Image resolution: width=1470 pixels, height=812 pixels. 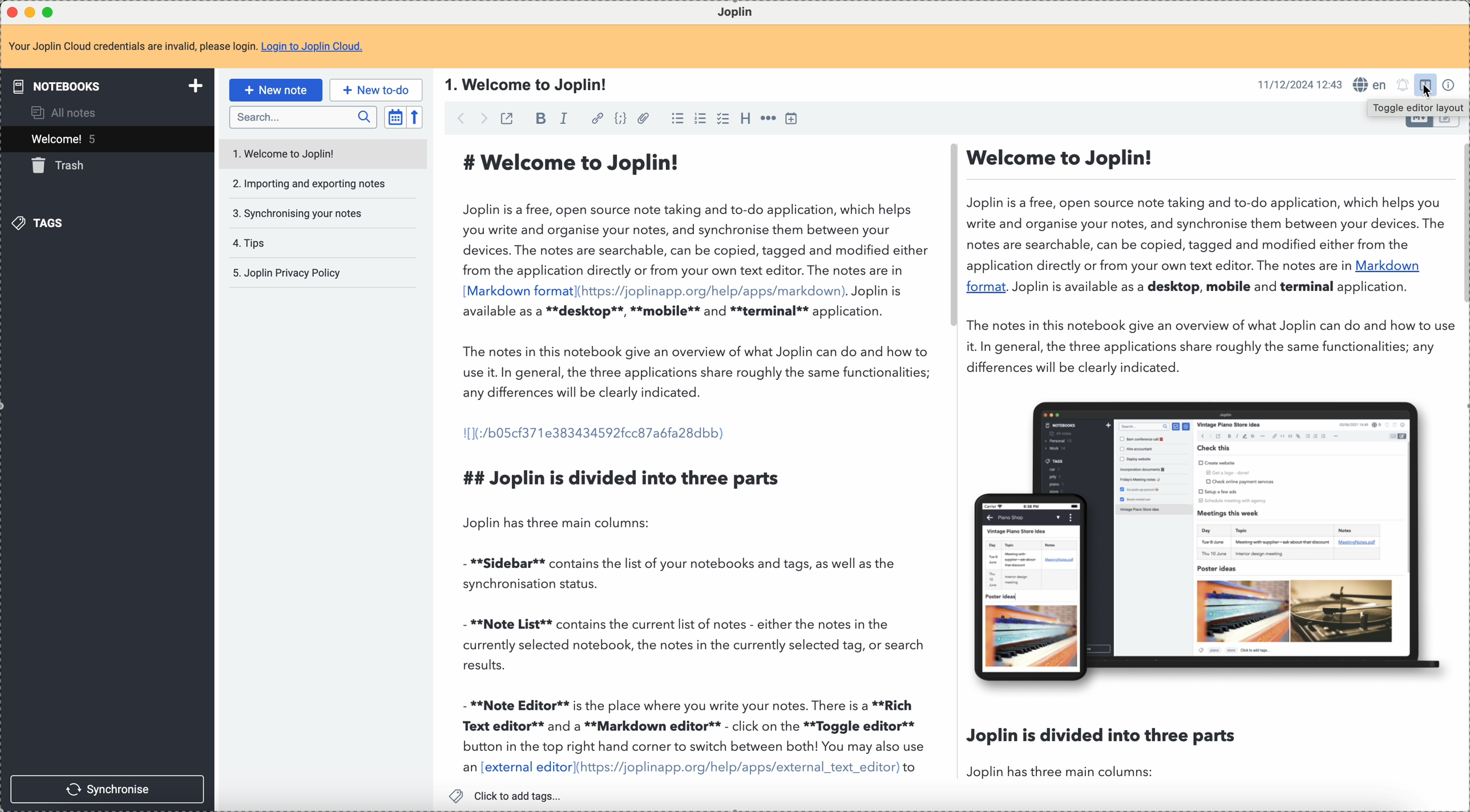 What do you see at coordinates (70, 112) in the screenshot?
I see `all notes` at bounding box center [70, 112].